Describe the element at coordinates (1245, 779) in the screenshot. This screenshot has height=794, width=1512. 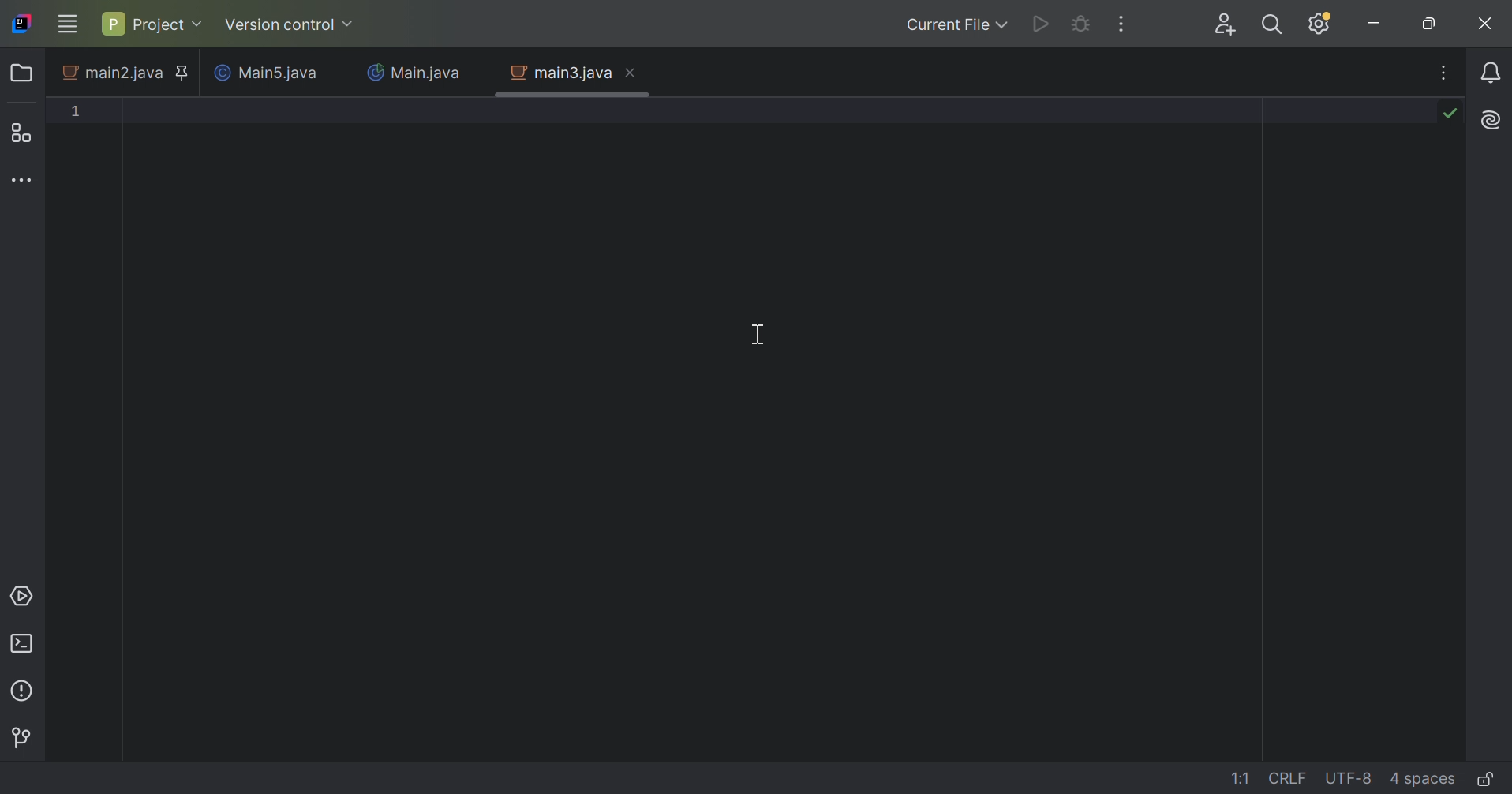
I see `go to line` at that location.